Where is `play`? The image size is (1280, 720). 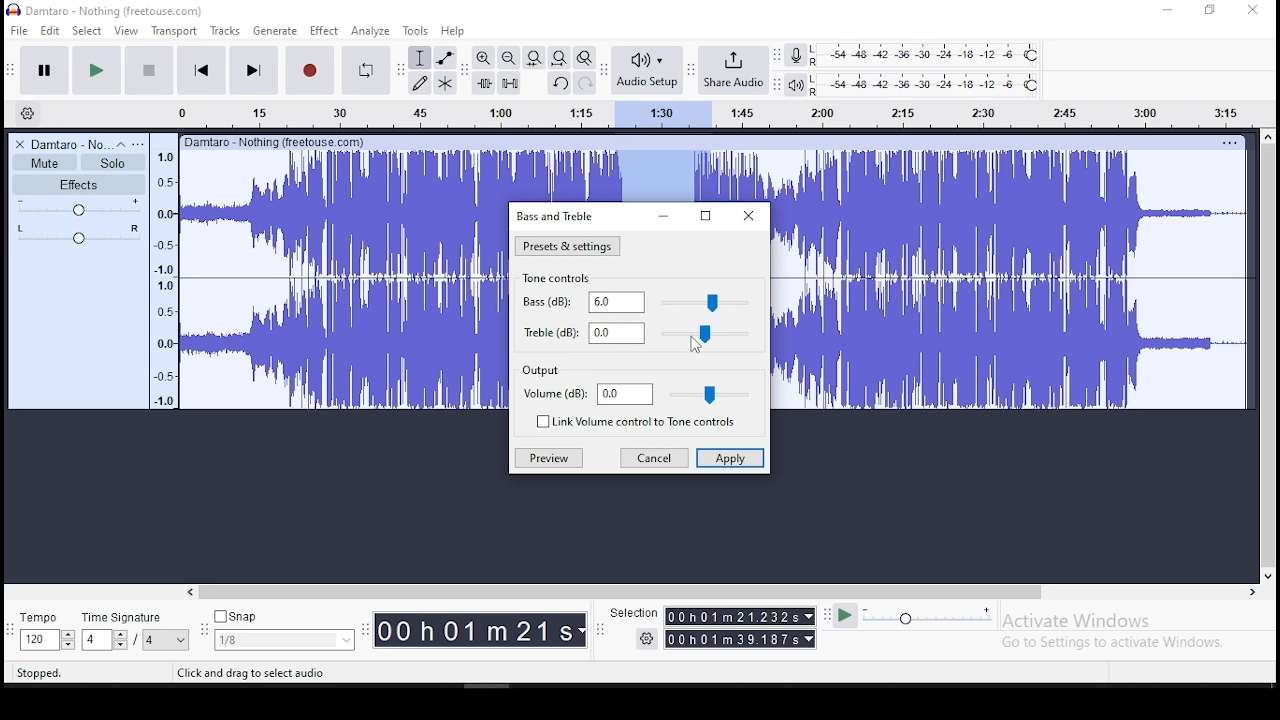 play is located at coordinates (96, 71).